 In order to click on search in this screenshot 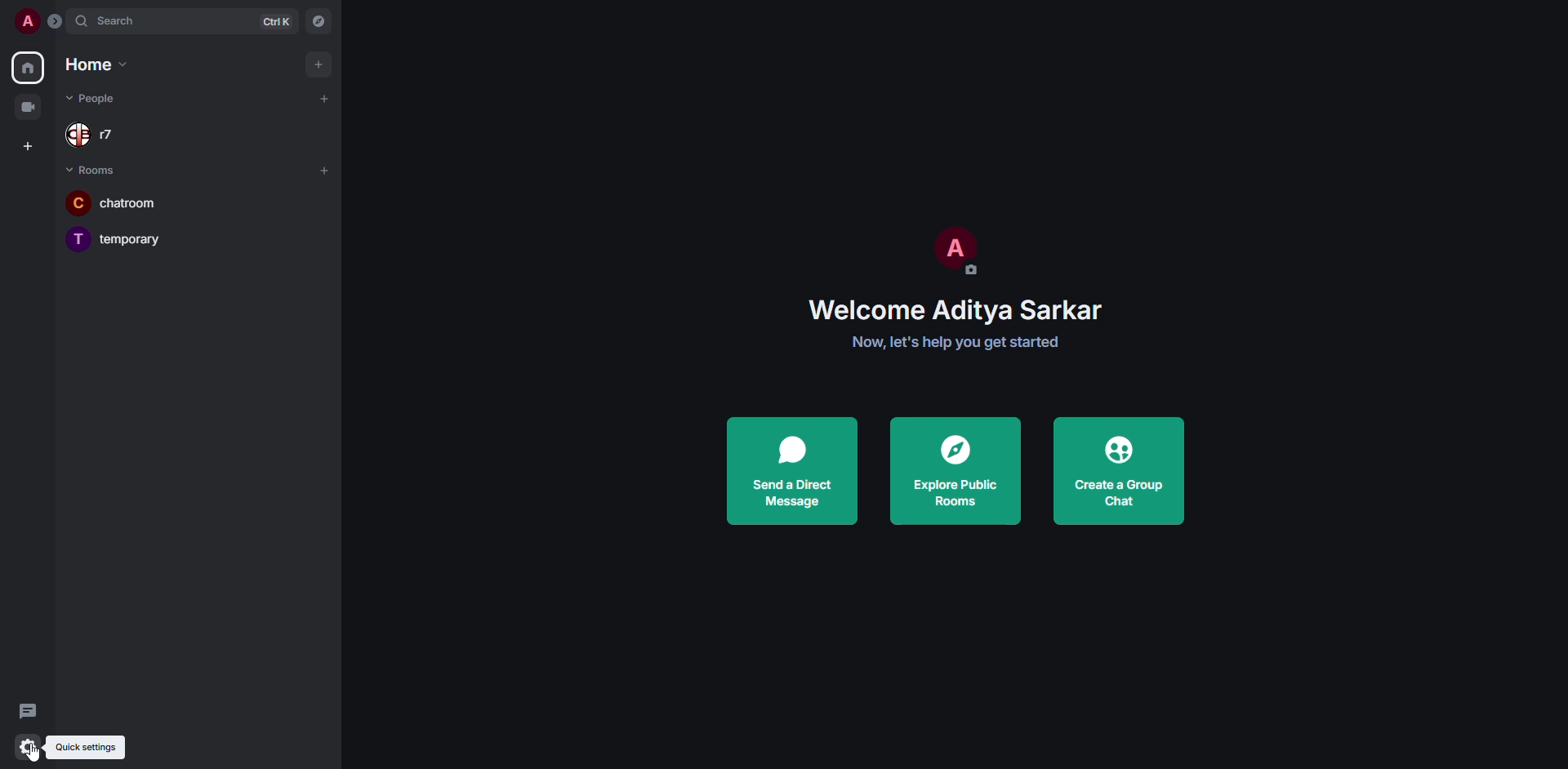, I will do `click(121, 21)`.